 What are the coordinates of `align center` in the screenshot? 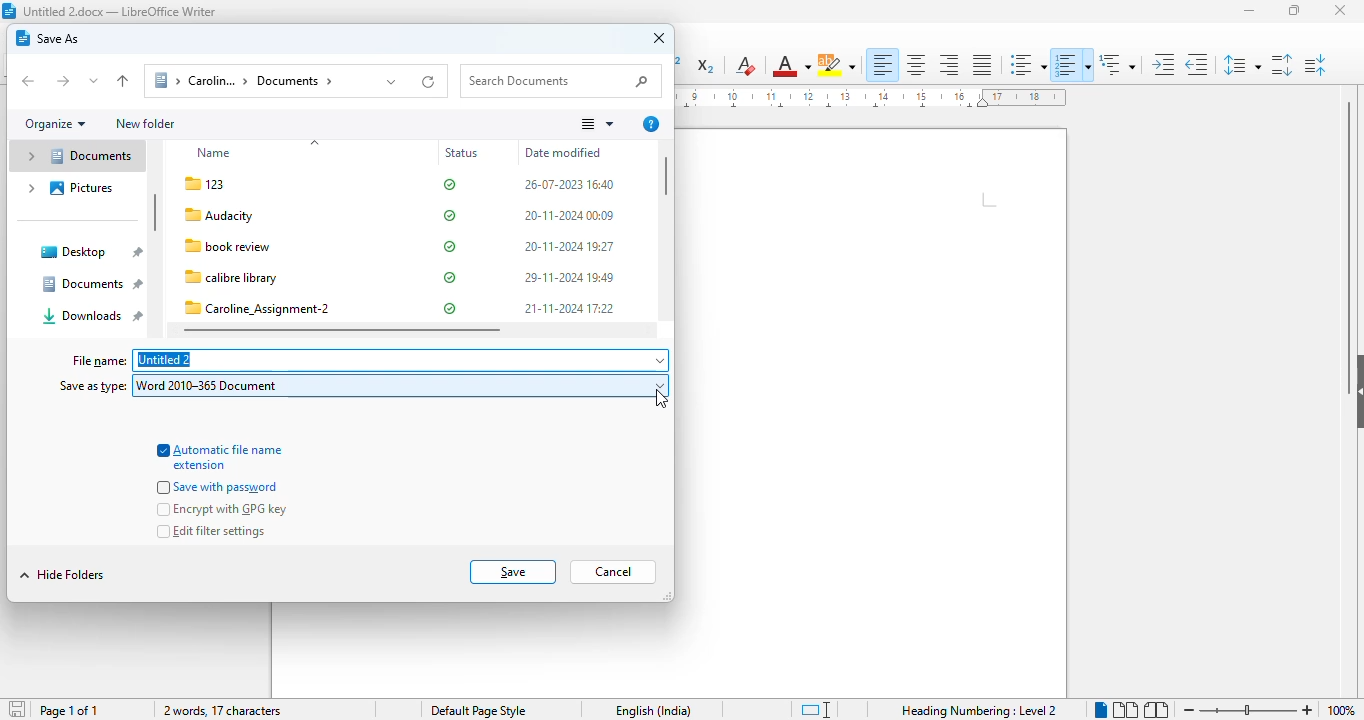 It's located at (916, 65).